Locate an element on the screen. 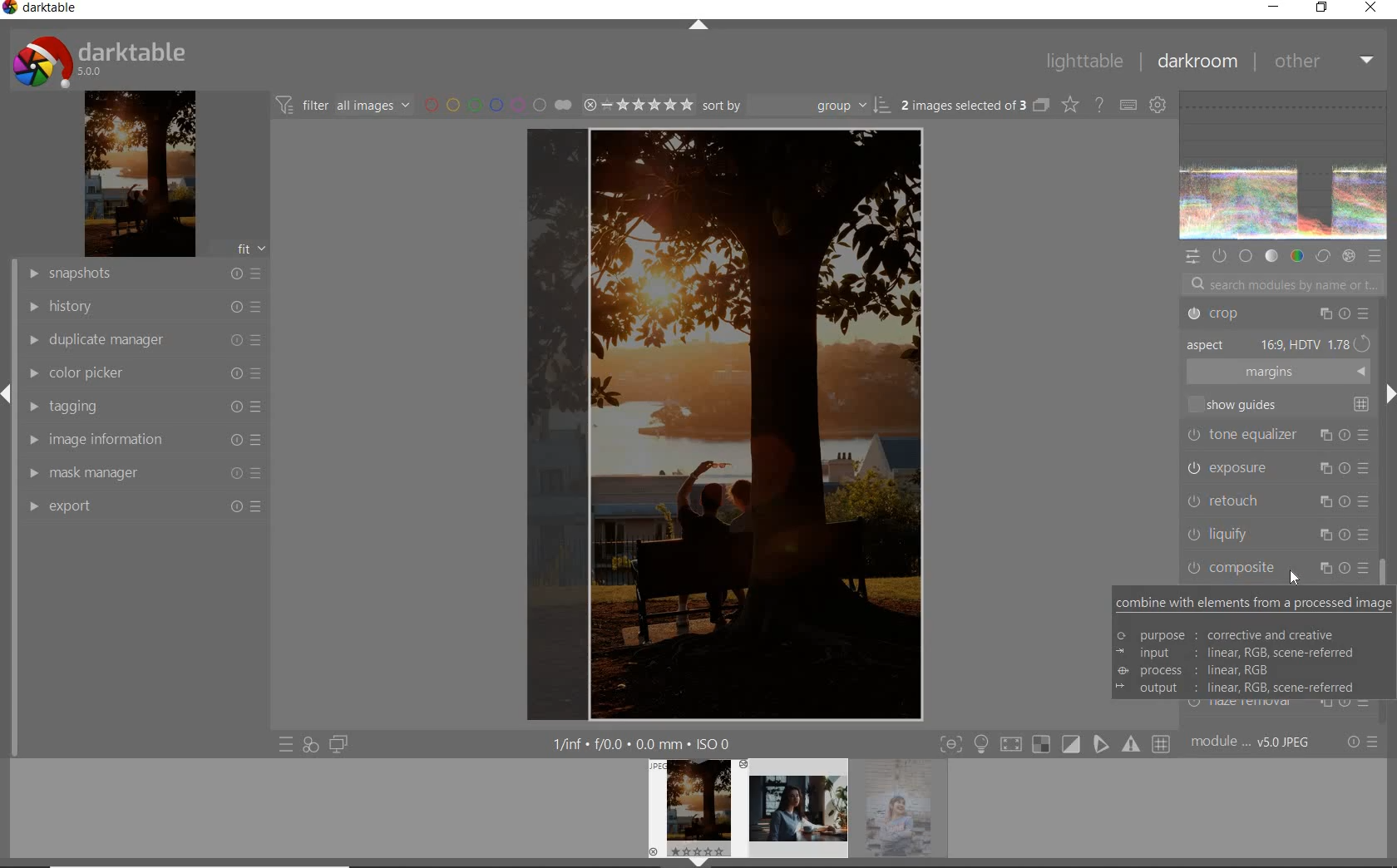  module order is located at coordinates (1249, 744).